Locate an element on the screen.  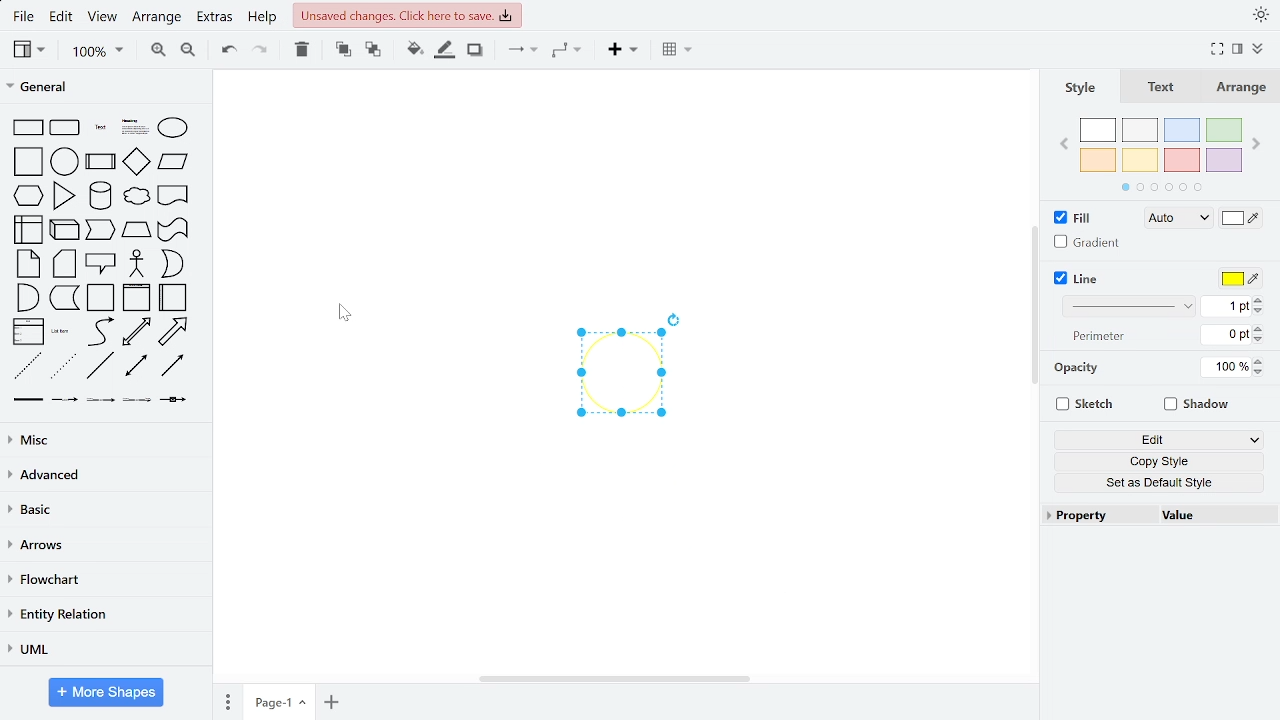
collapse is located at coordinates (1257, 50).